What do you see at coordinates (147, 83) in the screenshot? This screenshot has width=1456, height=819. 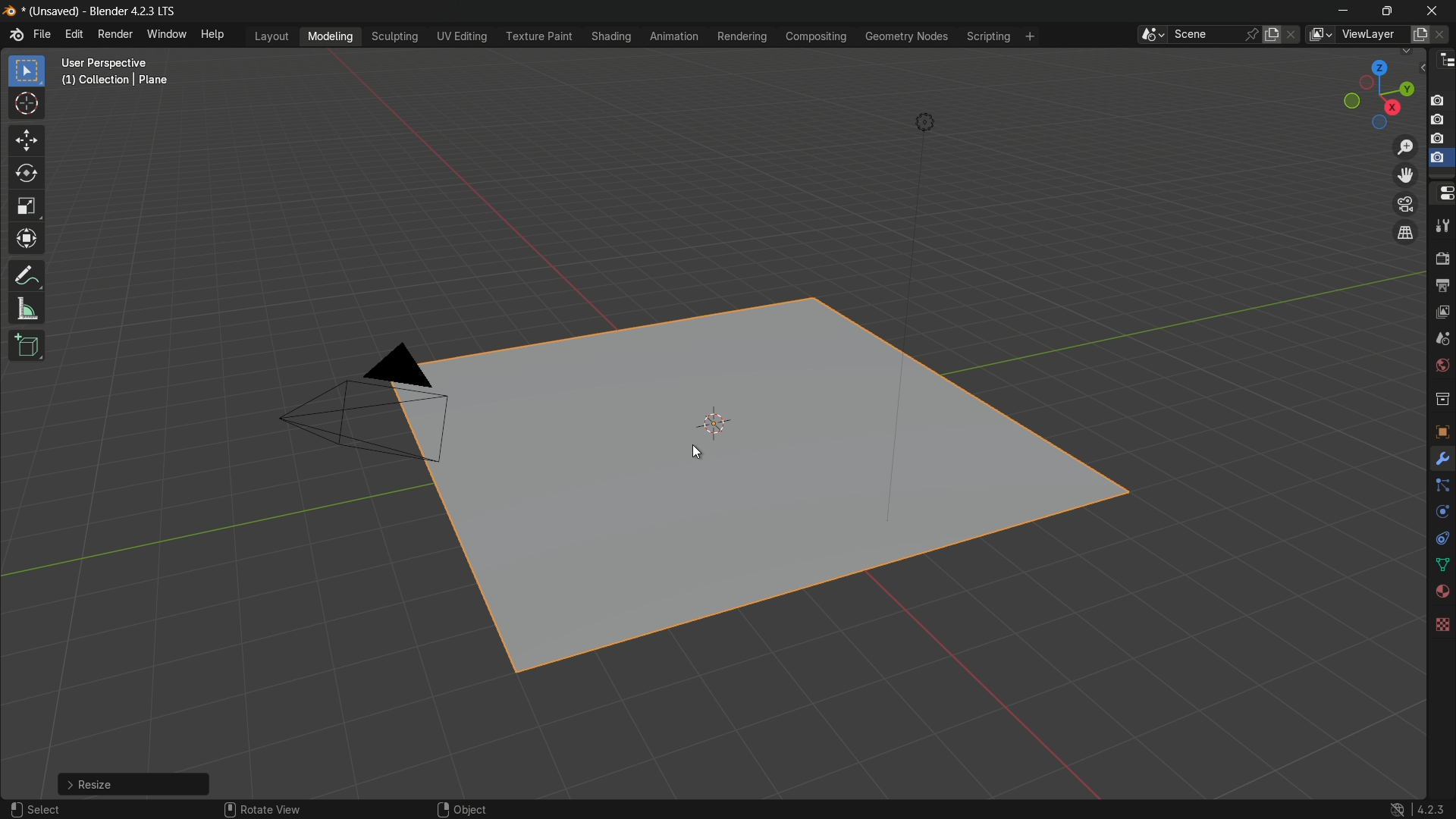 I see `user perspective (1) collection | plane` at bounding box center [147, 83].